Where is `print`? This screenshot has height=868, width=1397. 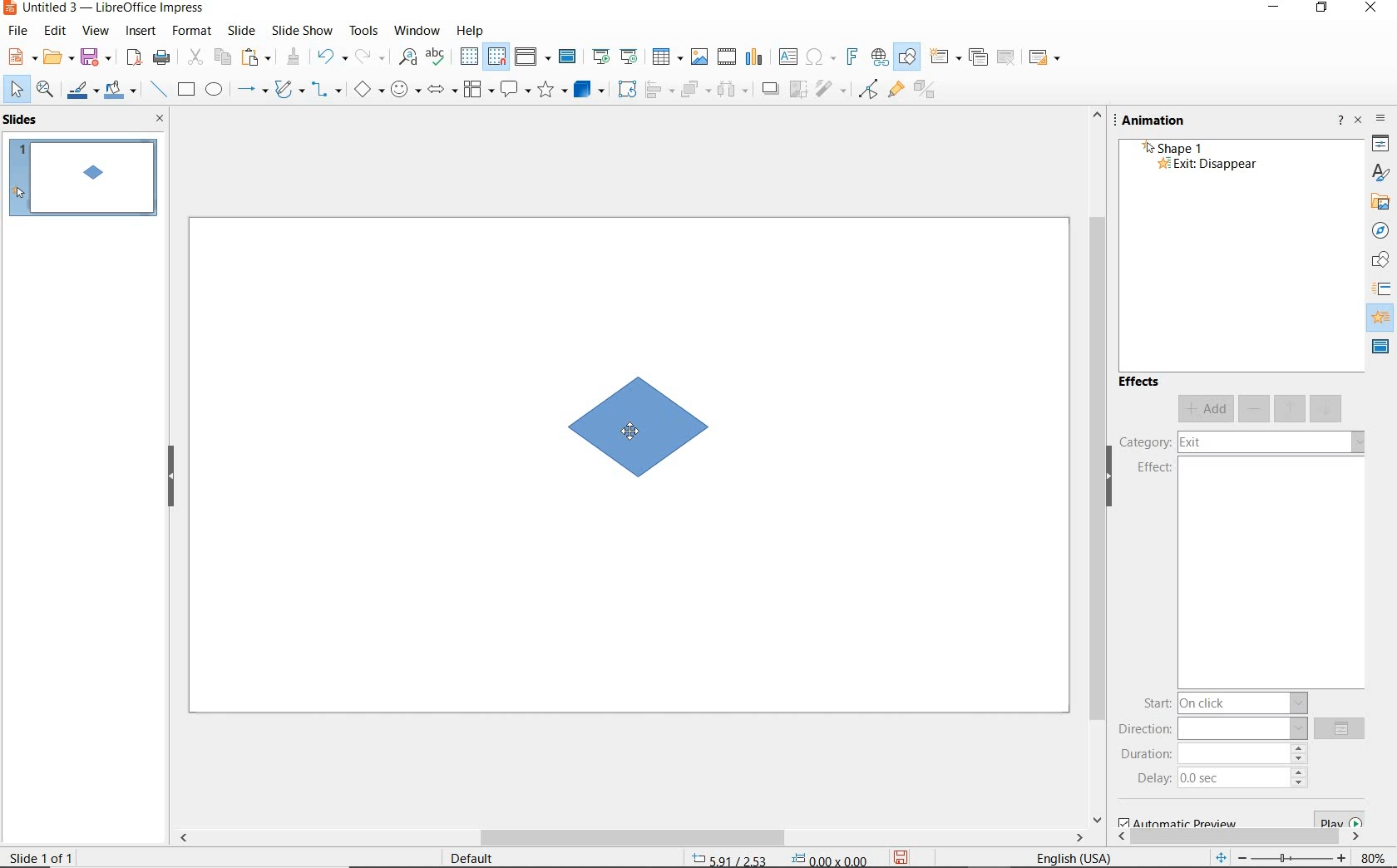 print is located at coordinates (160, 57).